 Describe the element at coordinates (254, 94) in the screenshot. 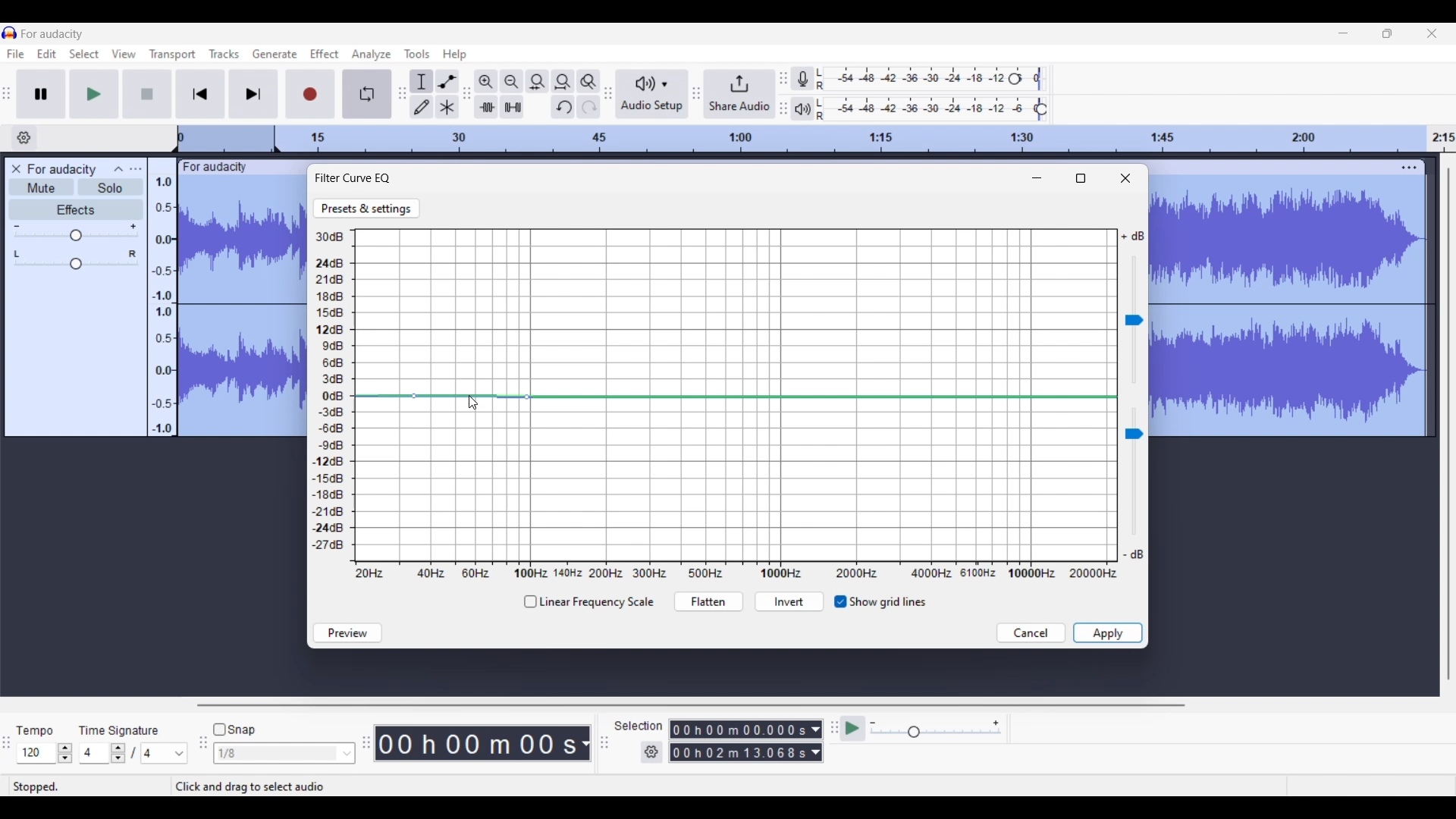

I see `Skip/Select to end` at that location.